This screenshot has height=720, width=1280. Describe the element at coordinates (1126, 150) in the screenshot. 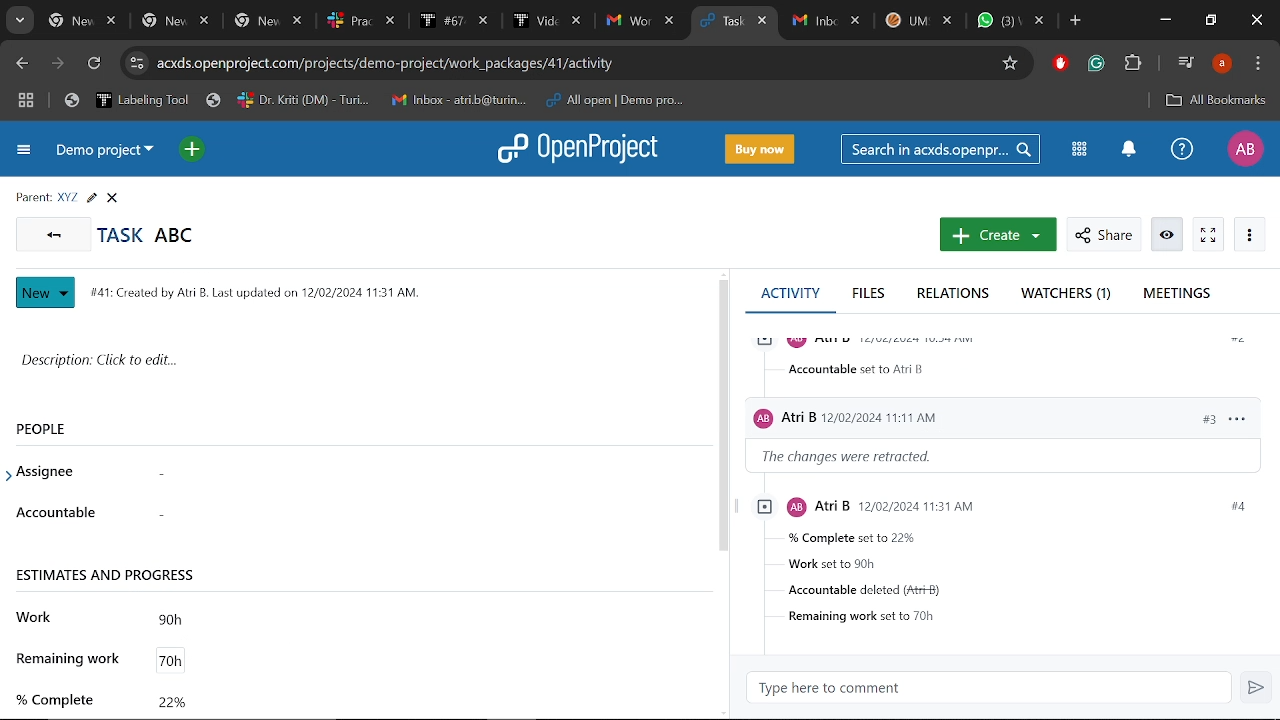

I see `Notification center` at that location.